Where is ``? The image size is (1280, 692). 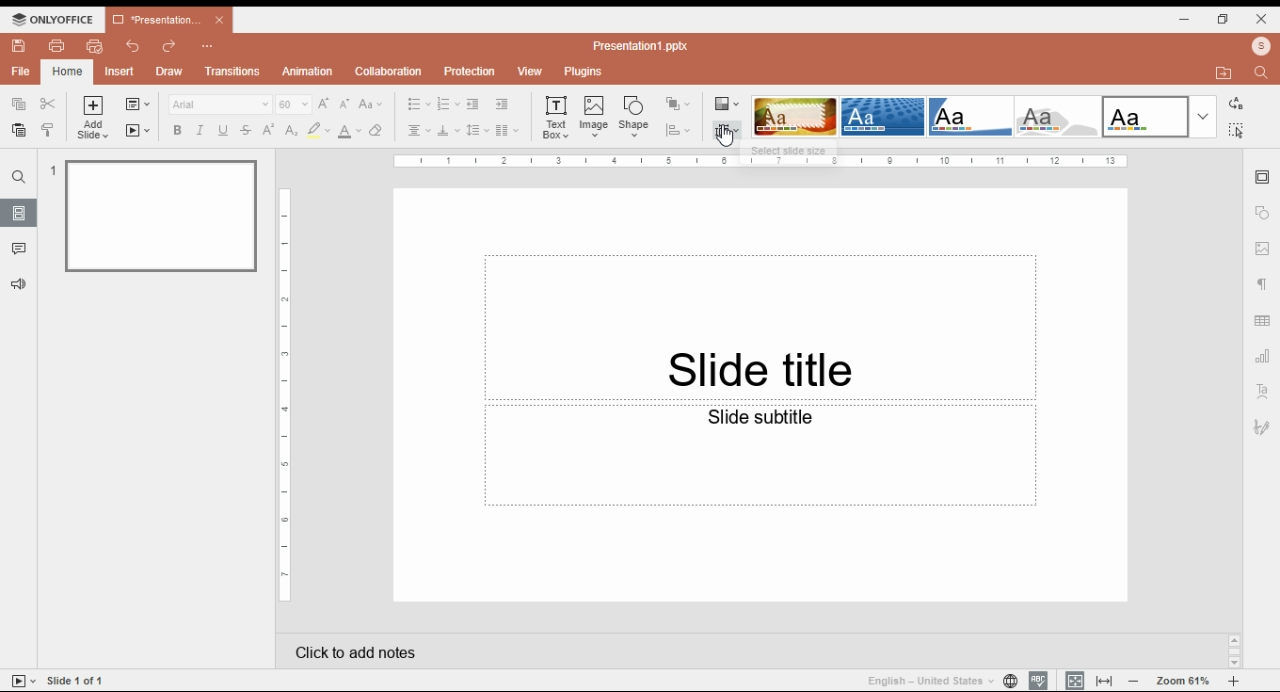
 is located at coordinates (1265, 428).